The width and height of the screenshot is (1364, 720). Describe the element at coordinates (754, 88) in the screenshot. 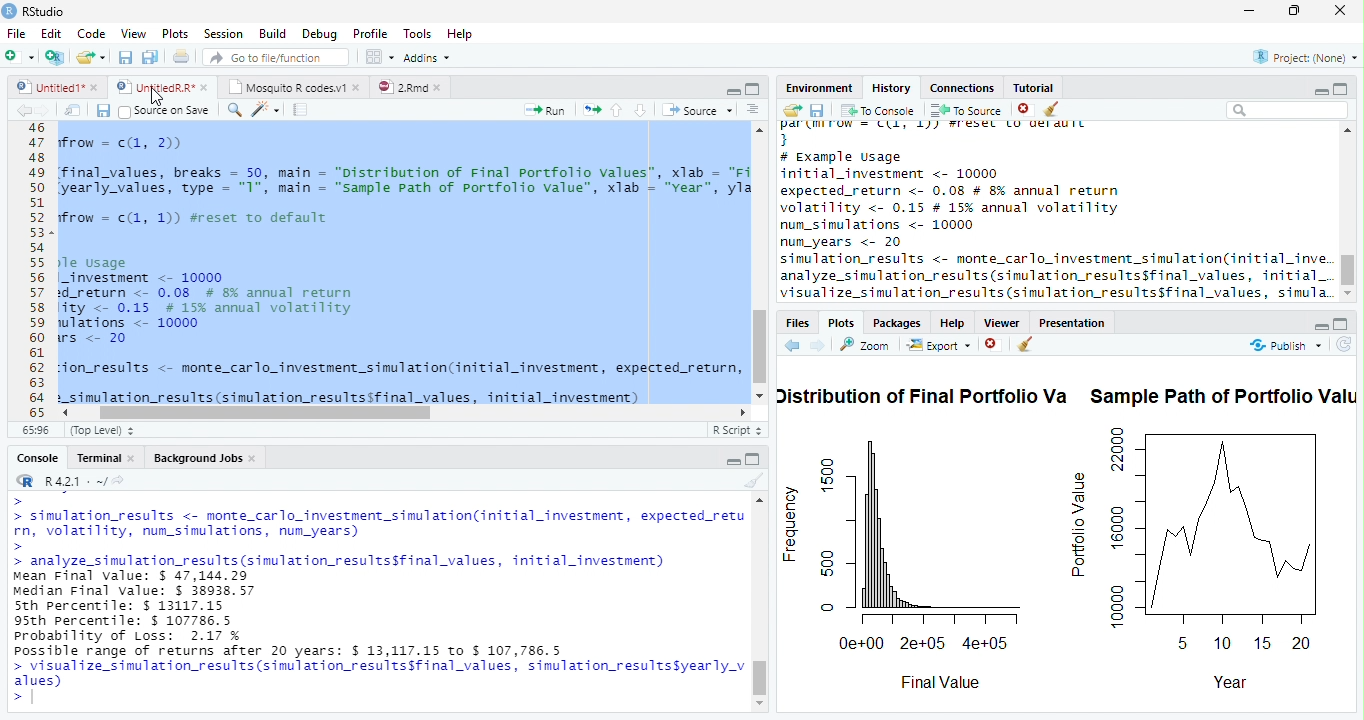

I see `Full Height` at that location.